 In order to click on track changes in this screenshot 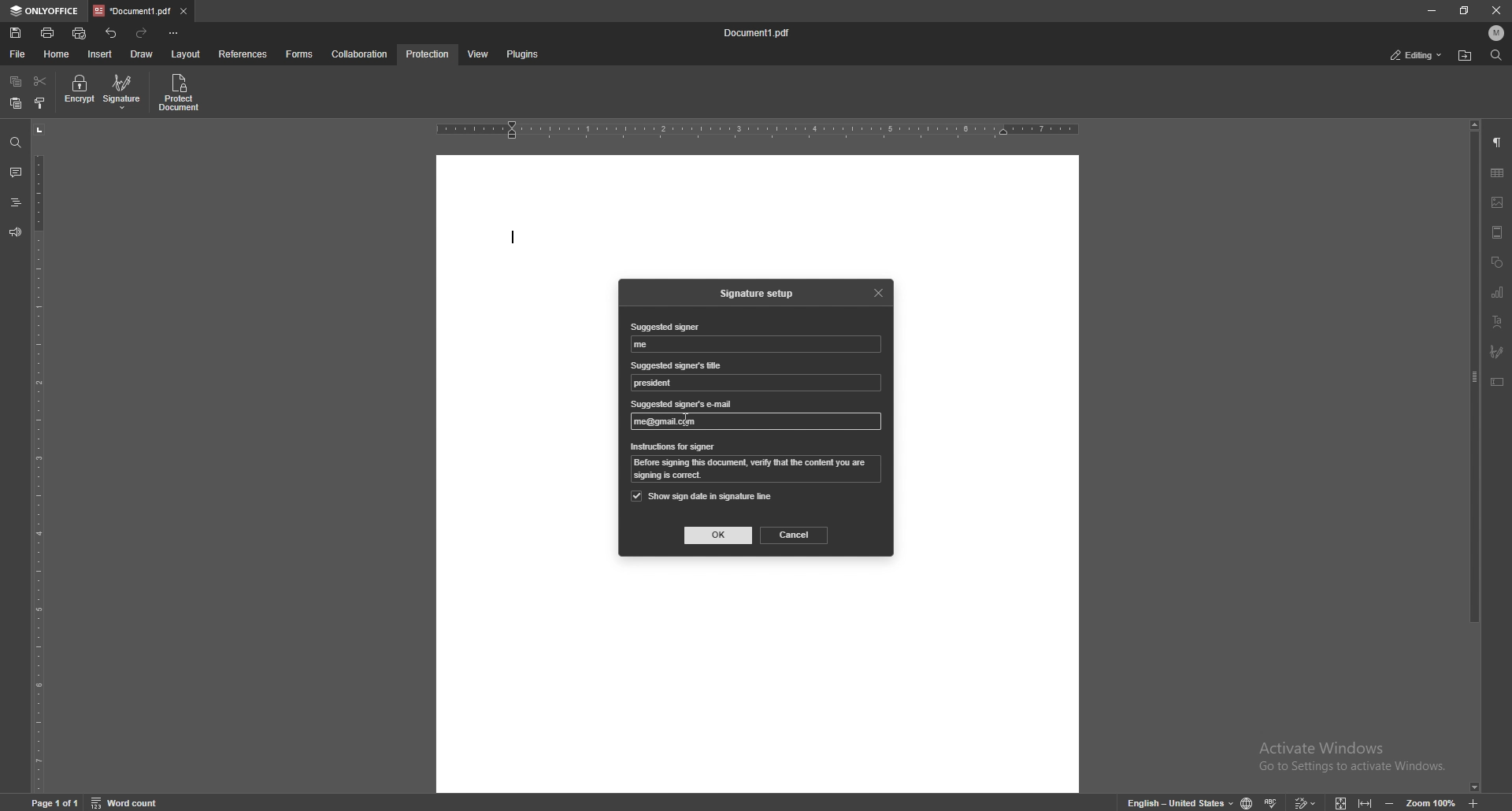, I will do `click(1303, 801)`.